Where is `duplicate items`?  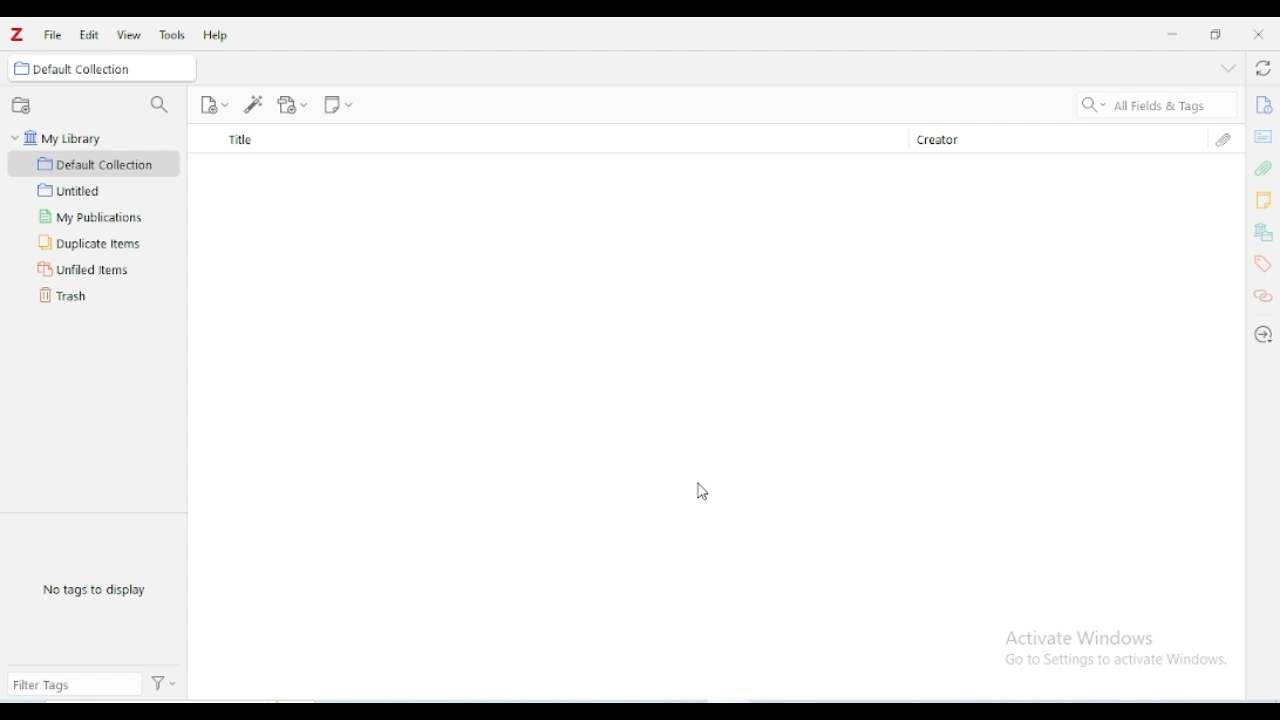 duplicate items is located at coordinates (90, 243).